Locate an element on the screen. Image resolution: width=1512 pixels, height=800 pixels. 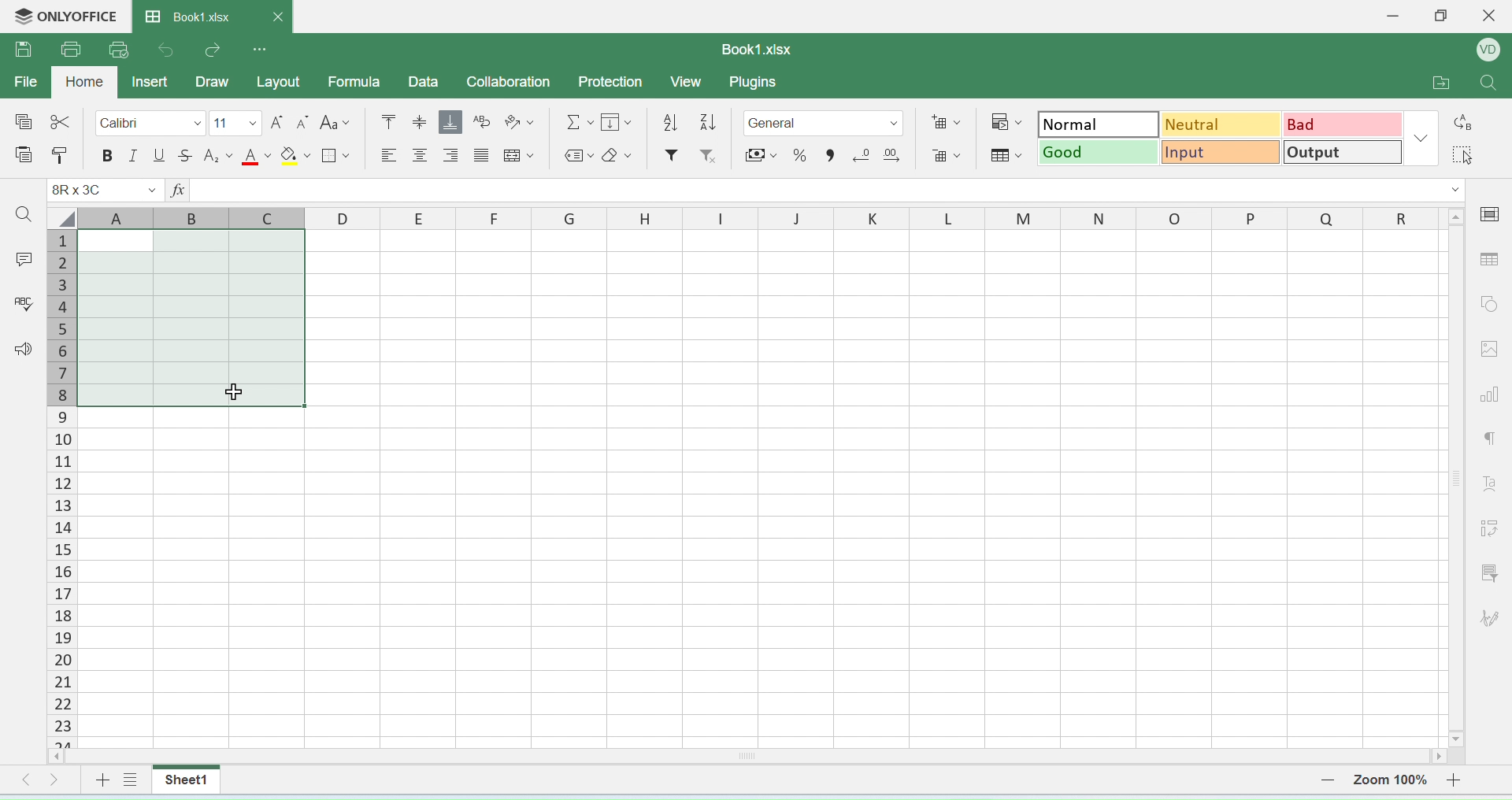
announcement is located at coordinates (22, 350).